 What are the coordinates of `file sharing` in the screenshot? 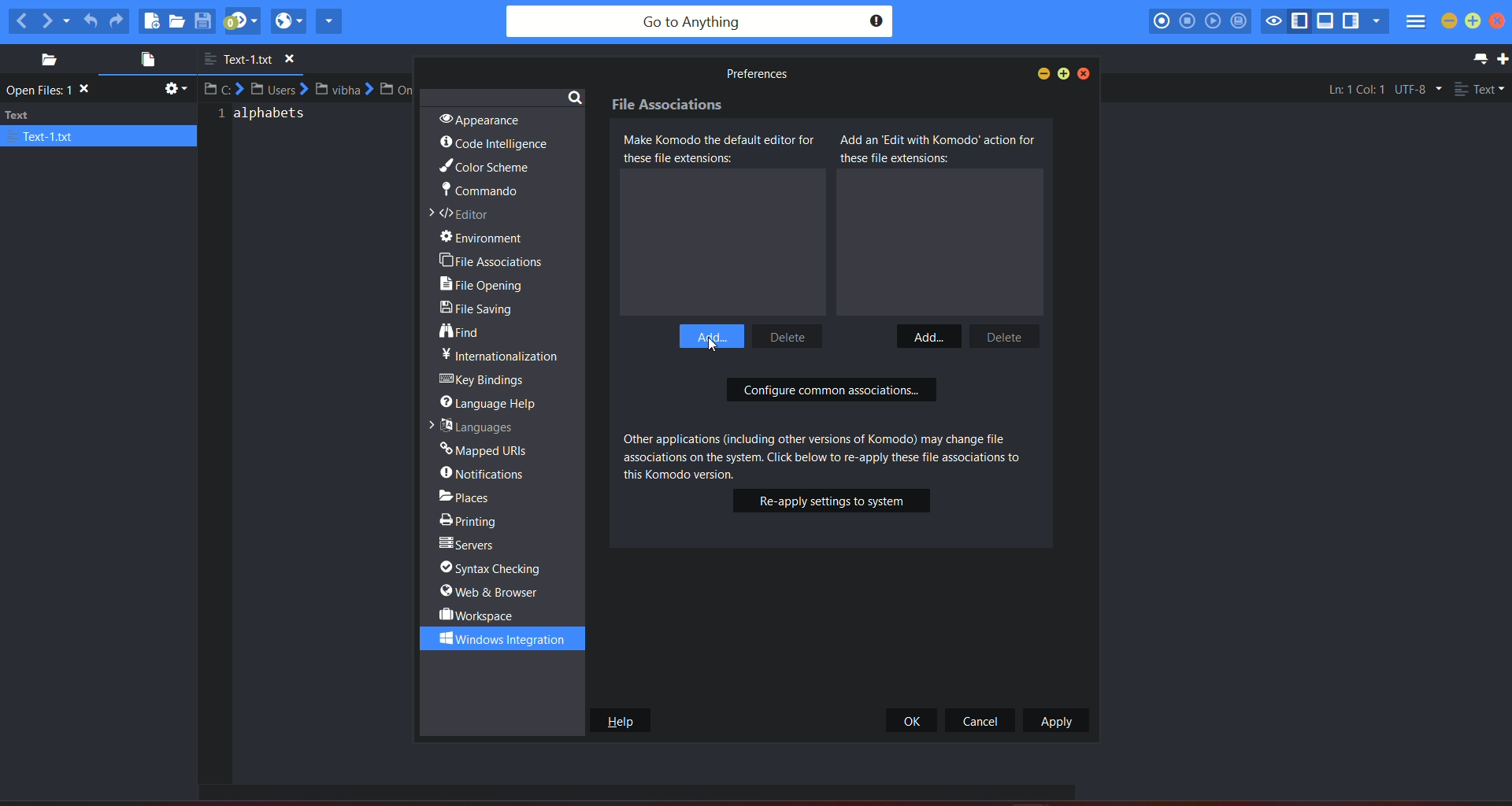 It's located at (482, 311).